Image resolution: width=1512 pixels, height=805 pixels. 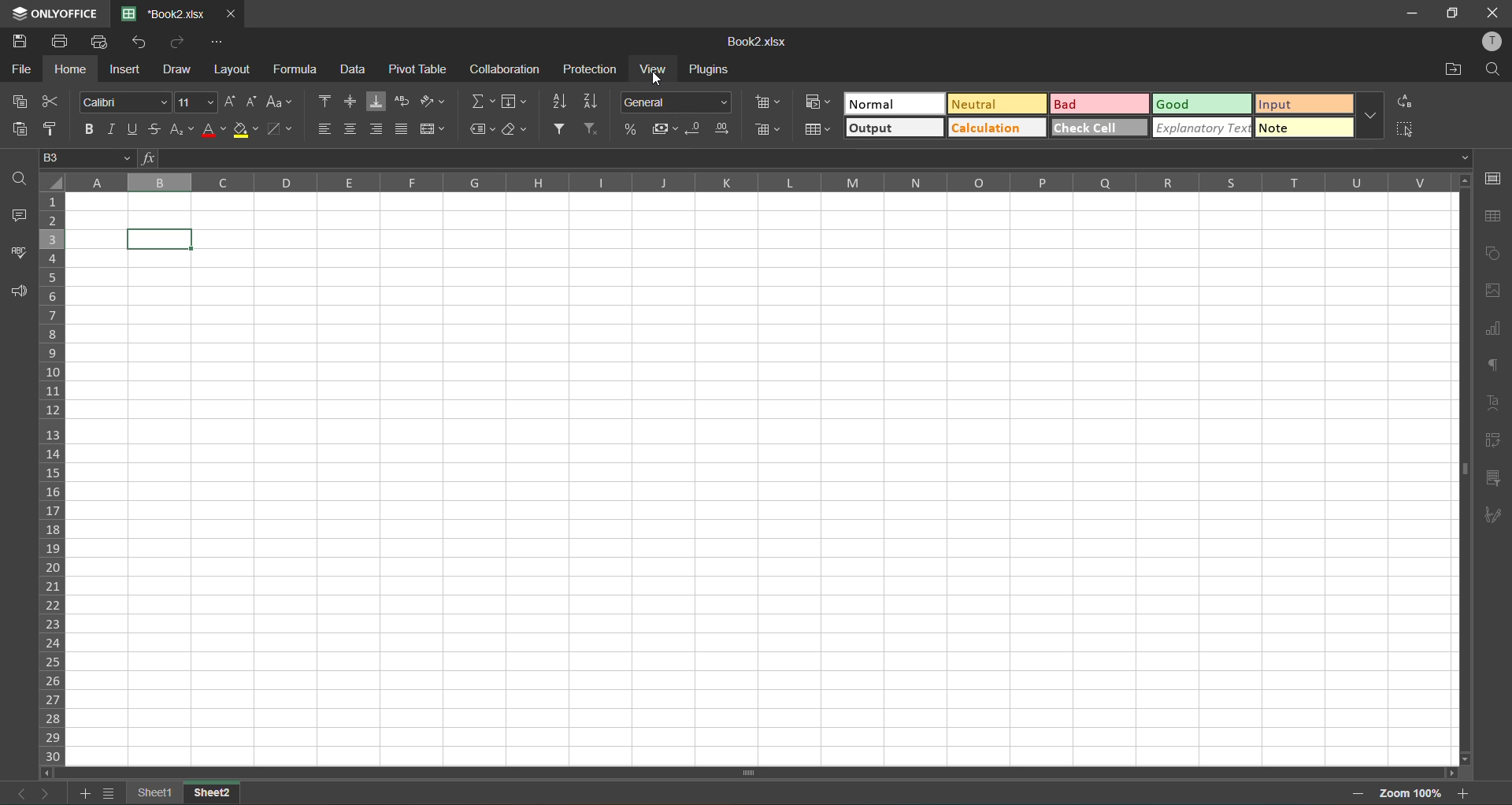 What do you see at coordinates (86, 128) in the screenshot?
I see `bold` at bounding box center [86, 128].